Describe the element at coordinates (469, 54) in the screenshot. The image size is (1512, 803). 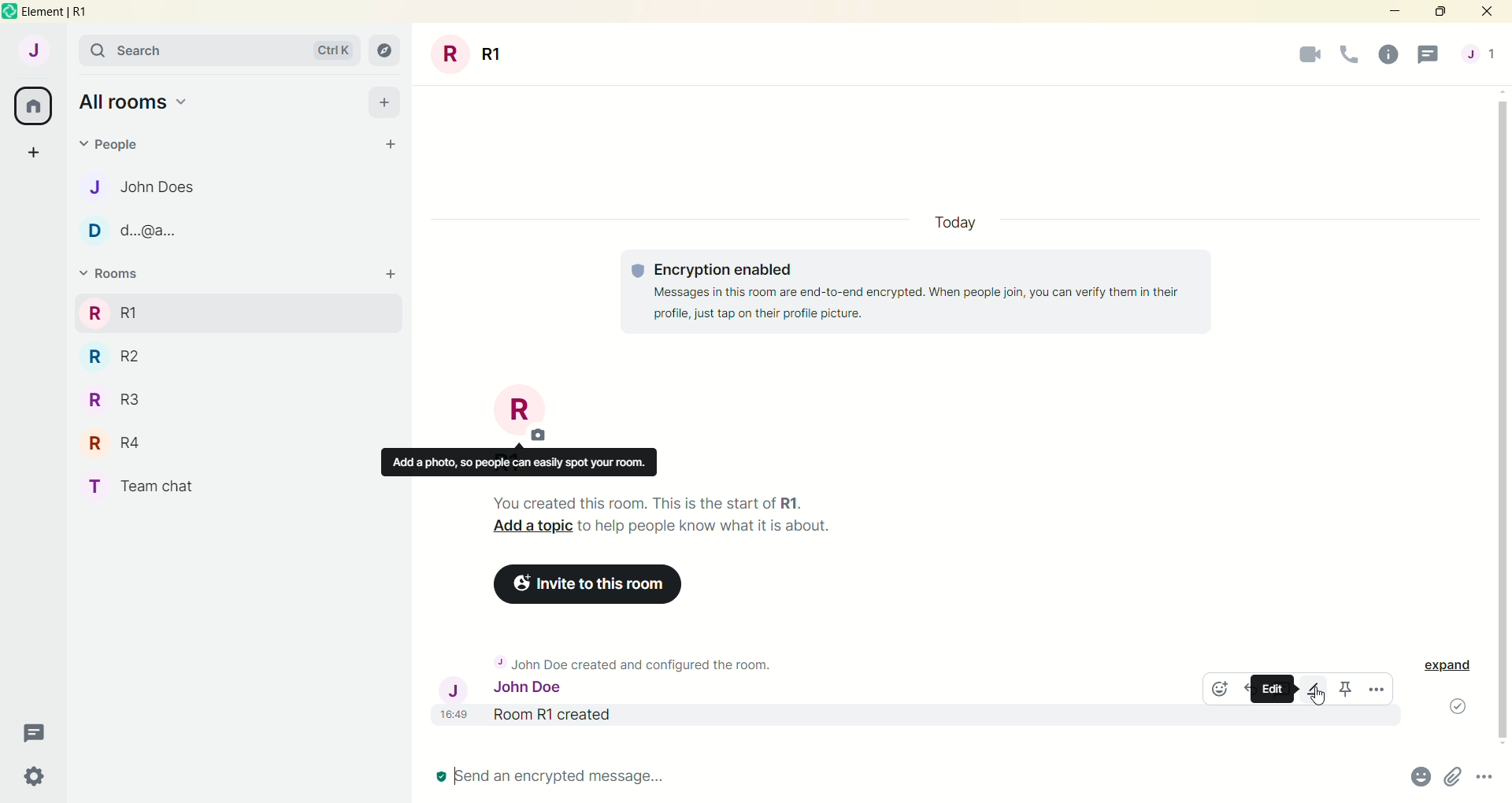
I see `room title` at that location.